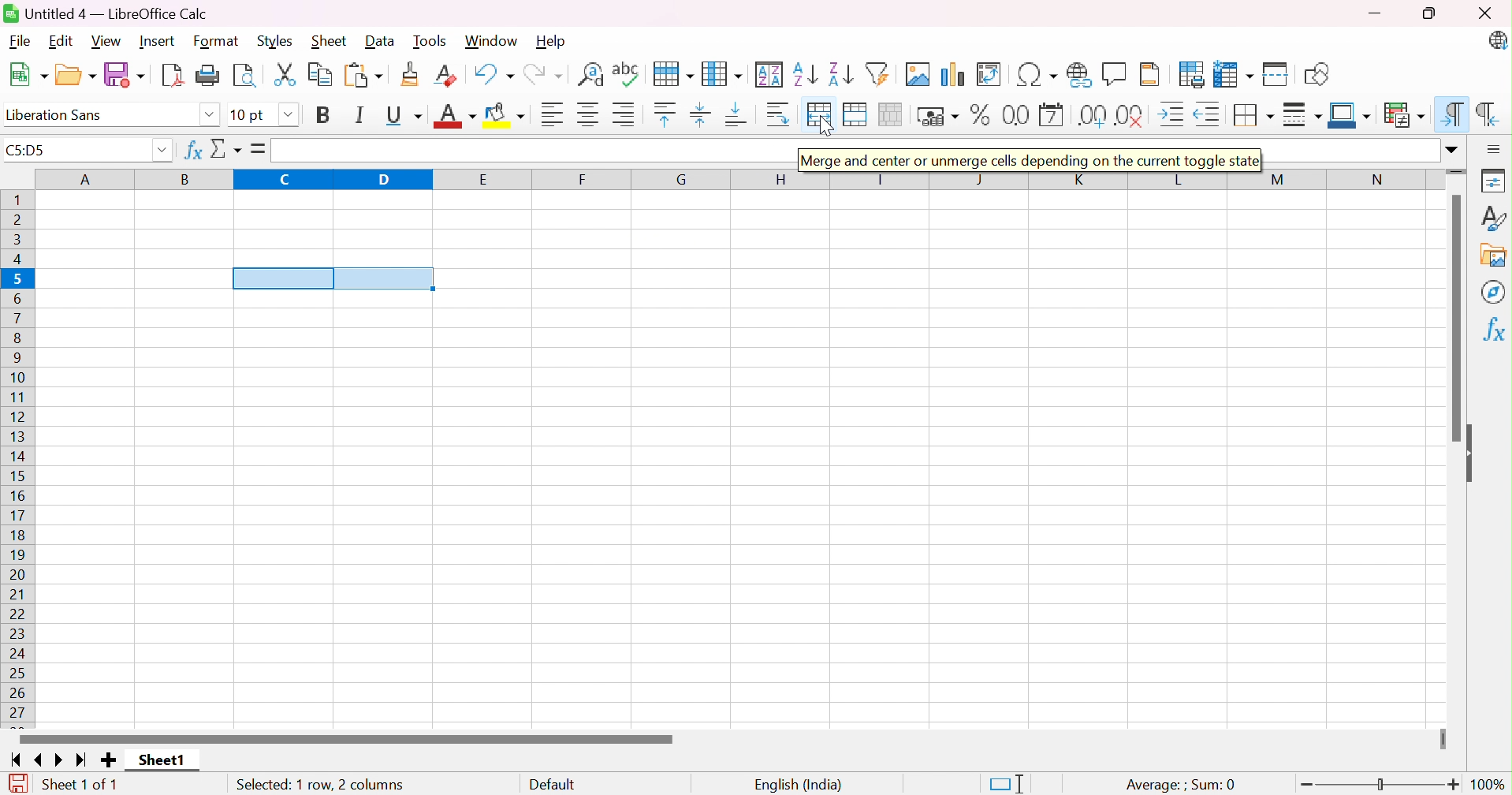  I want to click on Format as Number, so click(1015, 114).